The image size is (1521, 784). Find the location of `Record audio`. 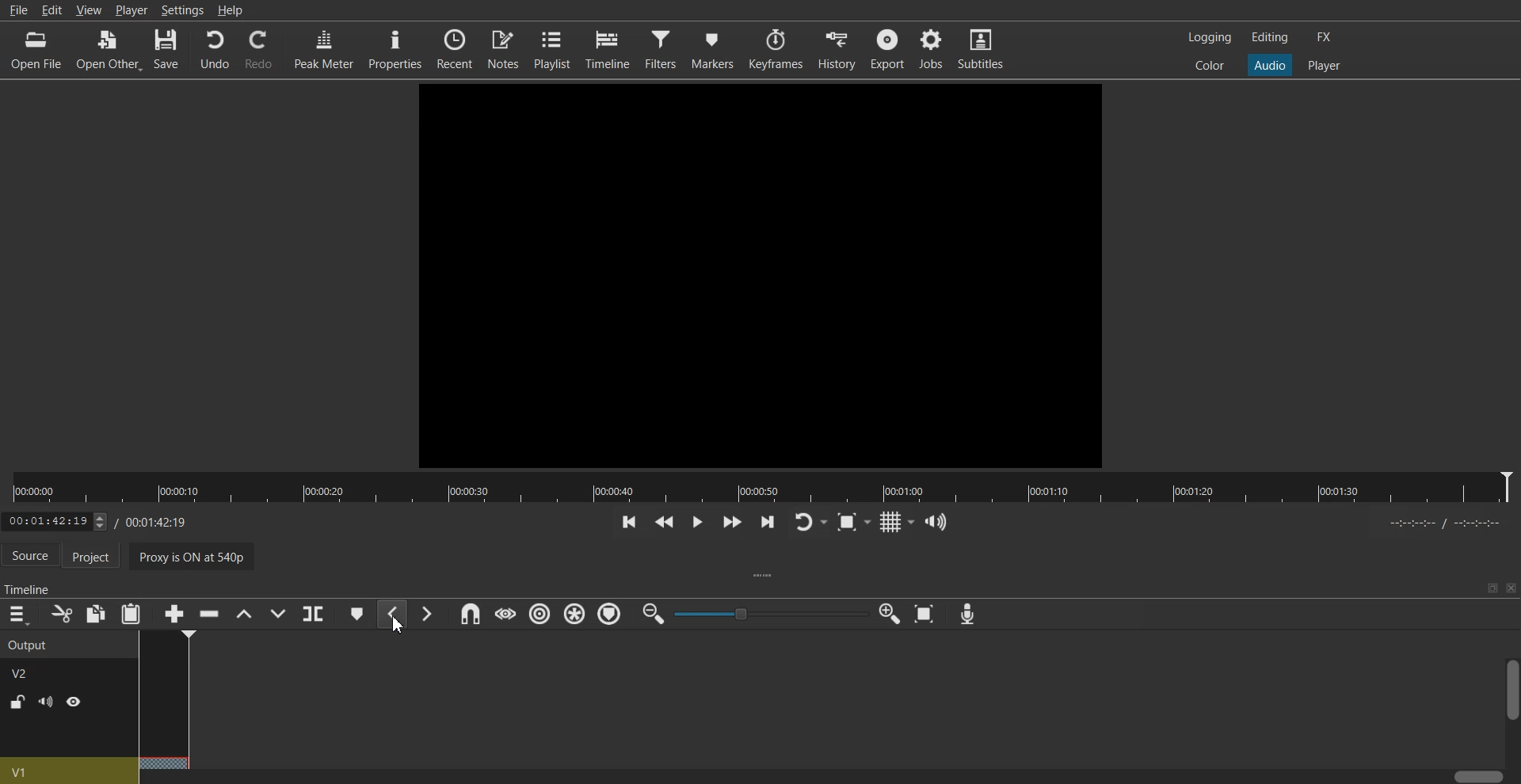

Record audio is located at coordinates (966, 614).